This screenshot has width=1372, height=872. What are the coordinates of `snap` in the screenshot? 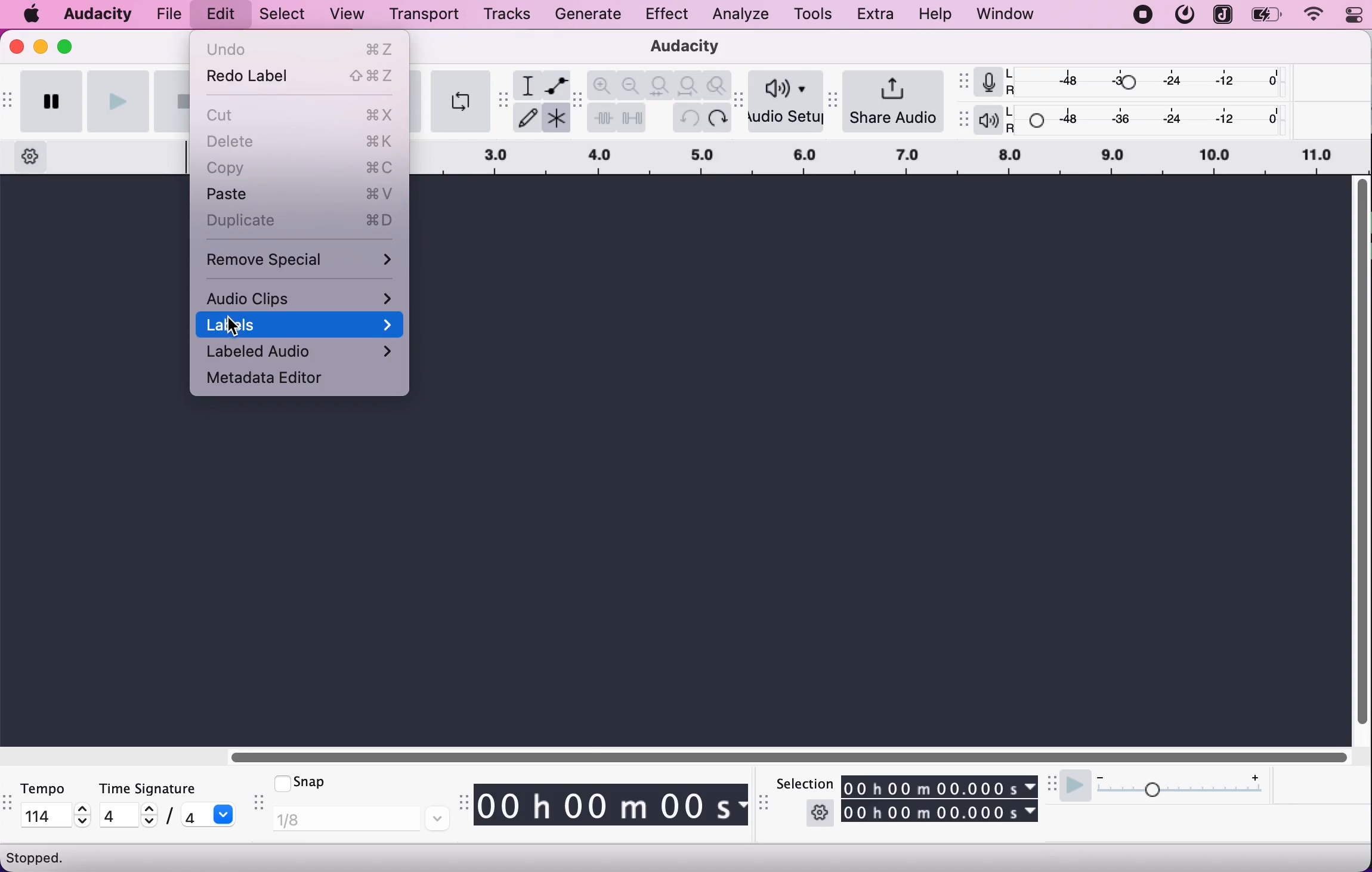 It's located at (323, 783).